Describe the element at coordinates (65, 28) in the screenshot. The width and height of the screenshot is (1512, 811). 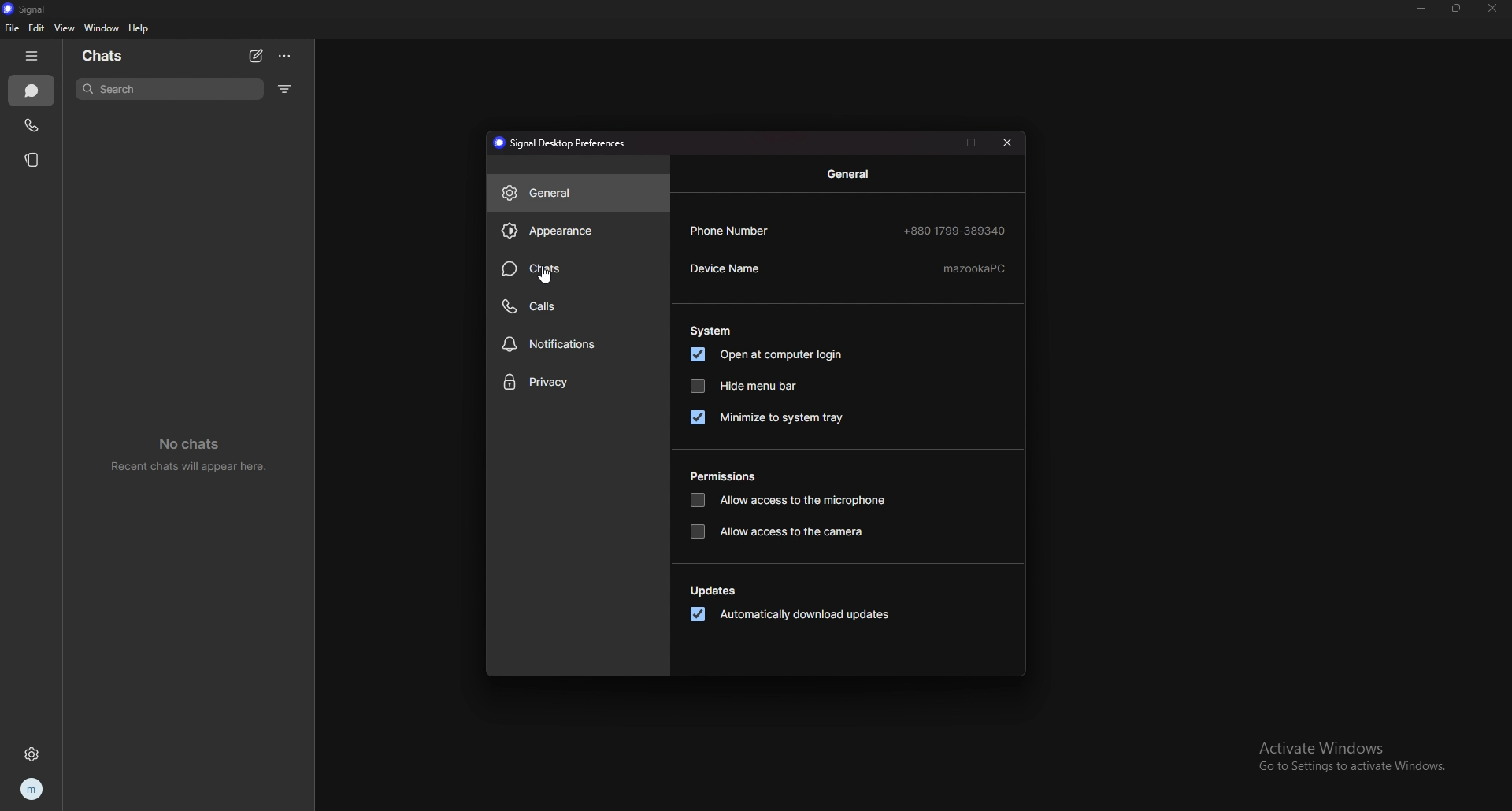
I see `view` at that location.